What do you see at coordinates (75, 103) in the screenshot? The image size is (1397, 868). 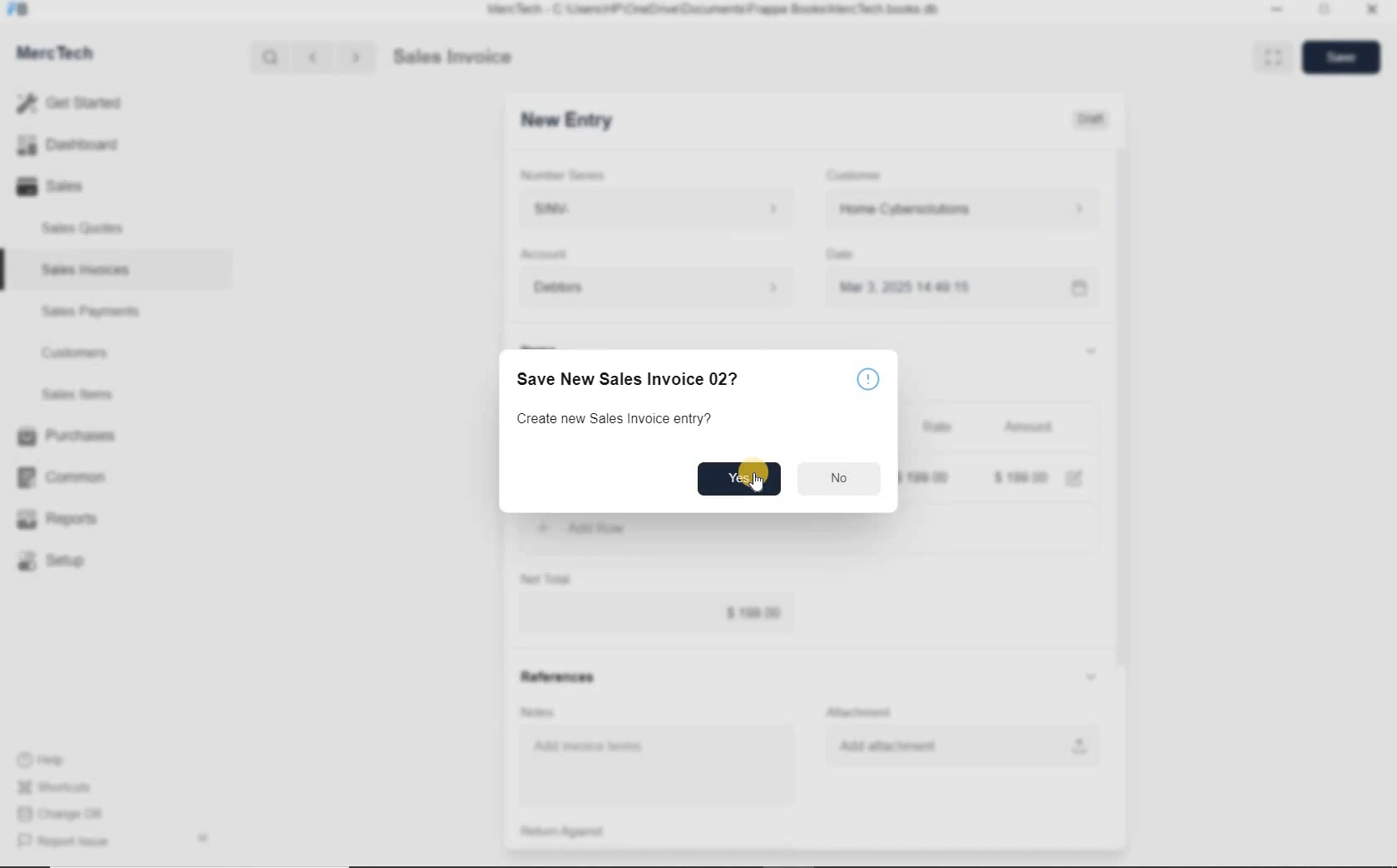 I see `Get Started` at bounding box center [75, 103].